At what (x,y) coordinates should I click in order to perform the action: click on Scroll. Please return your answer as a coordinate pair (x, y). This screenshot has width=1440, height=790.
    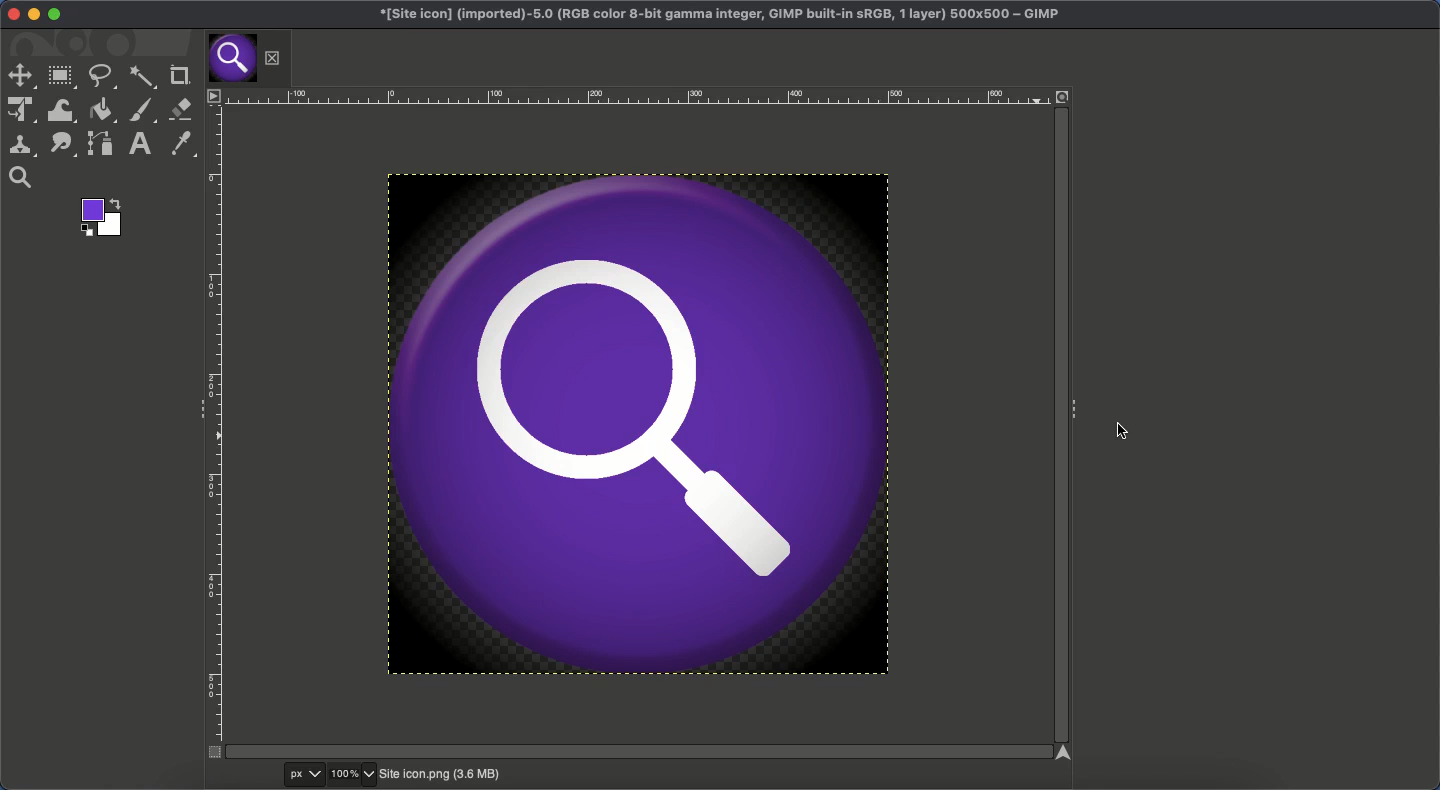
    Looking at the image, I should click on (1058, 427).